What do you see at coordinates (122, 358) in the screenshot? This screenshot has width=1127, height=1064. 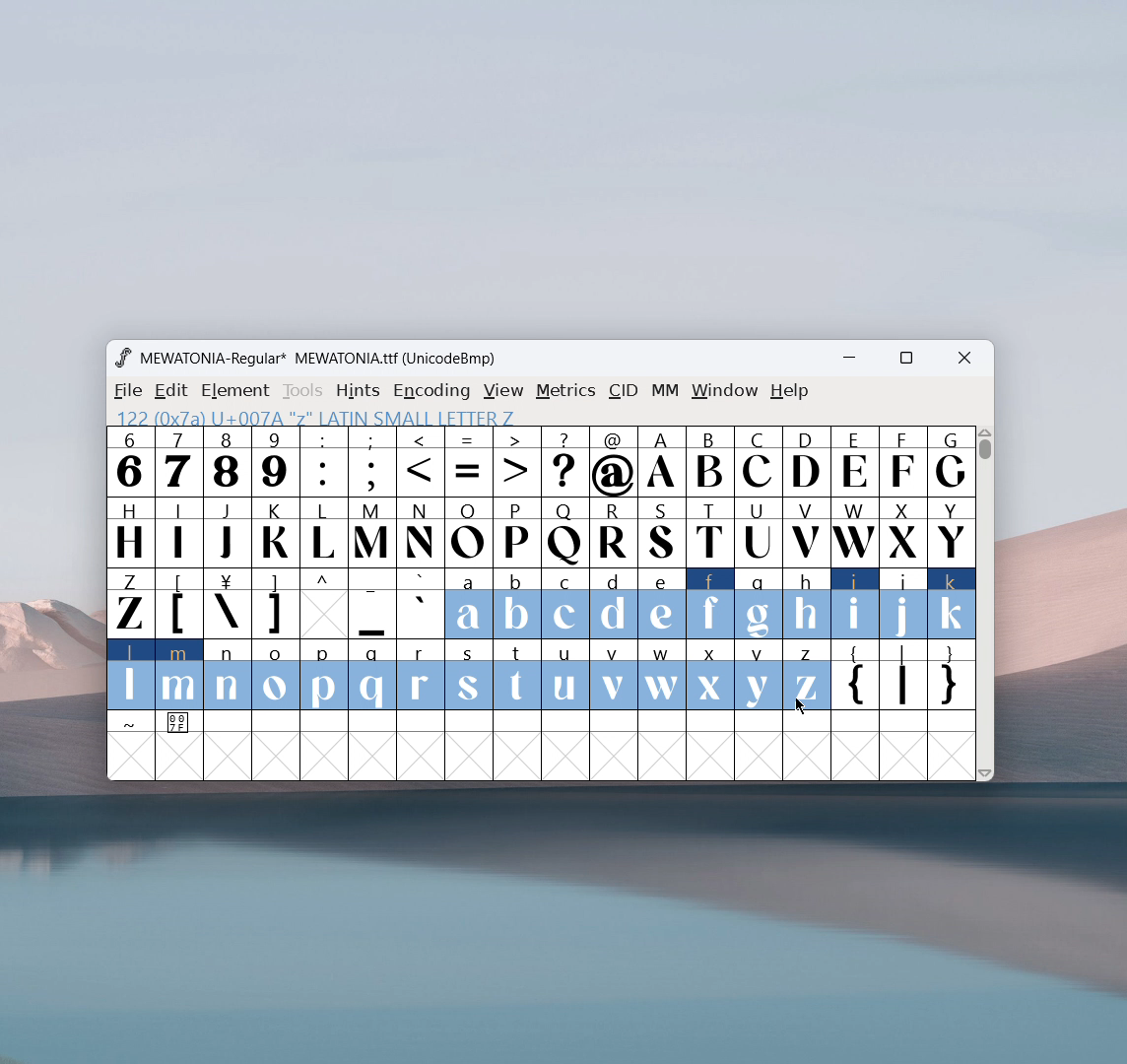 I see `logo` at bounding box center [122, 358].